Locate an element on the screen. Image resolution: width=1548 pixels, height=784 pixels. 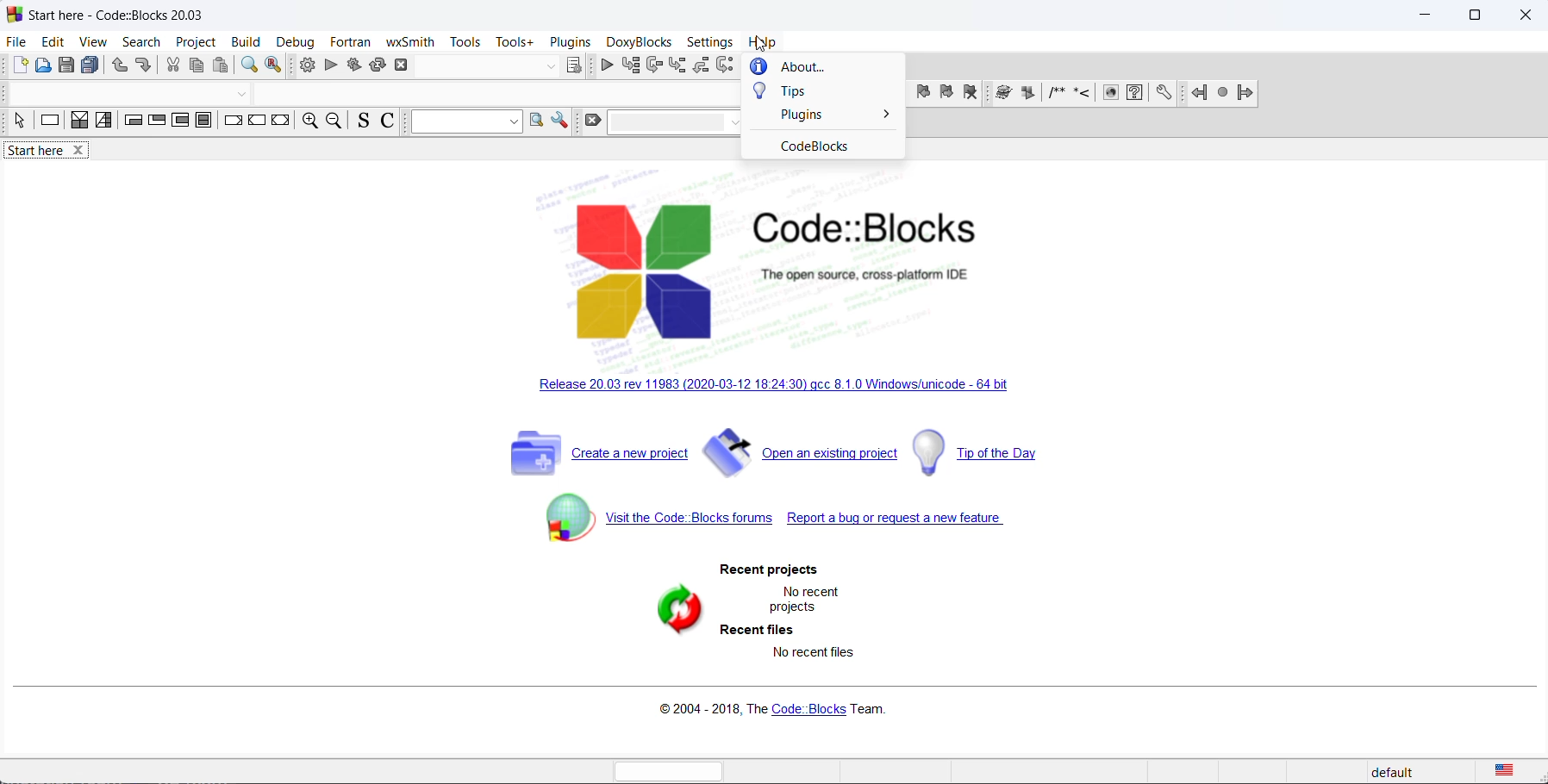
cursor is located at coordinates (757, 42).